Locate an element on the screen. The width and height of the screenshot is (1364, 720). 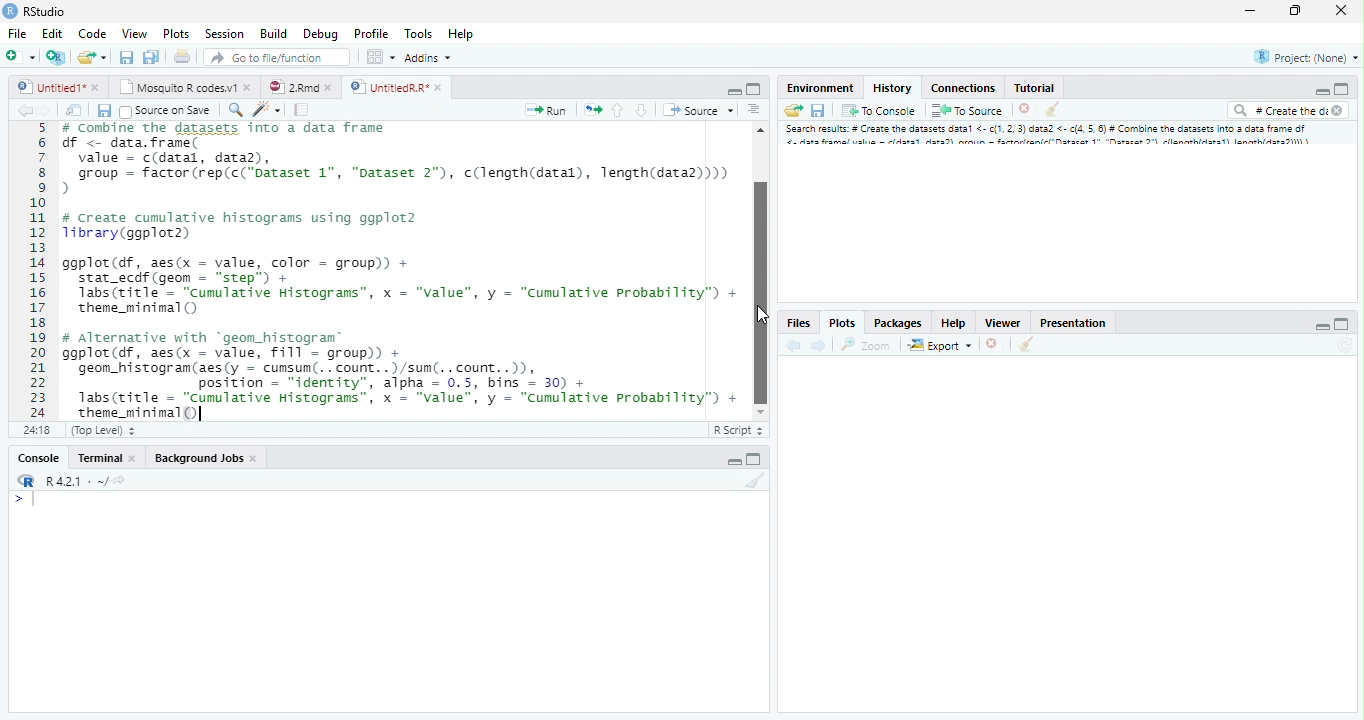
Create a new file is located at coordinates (94, 57).